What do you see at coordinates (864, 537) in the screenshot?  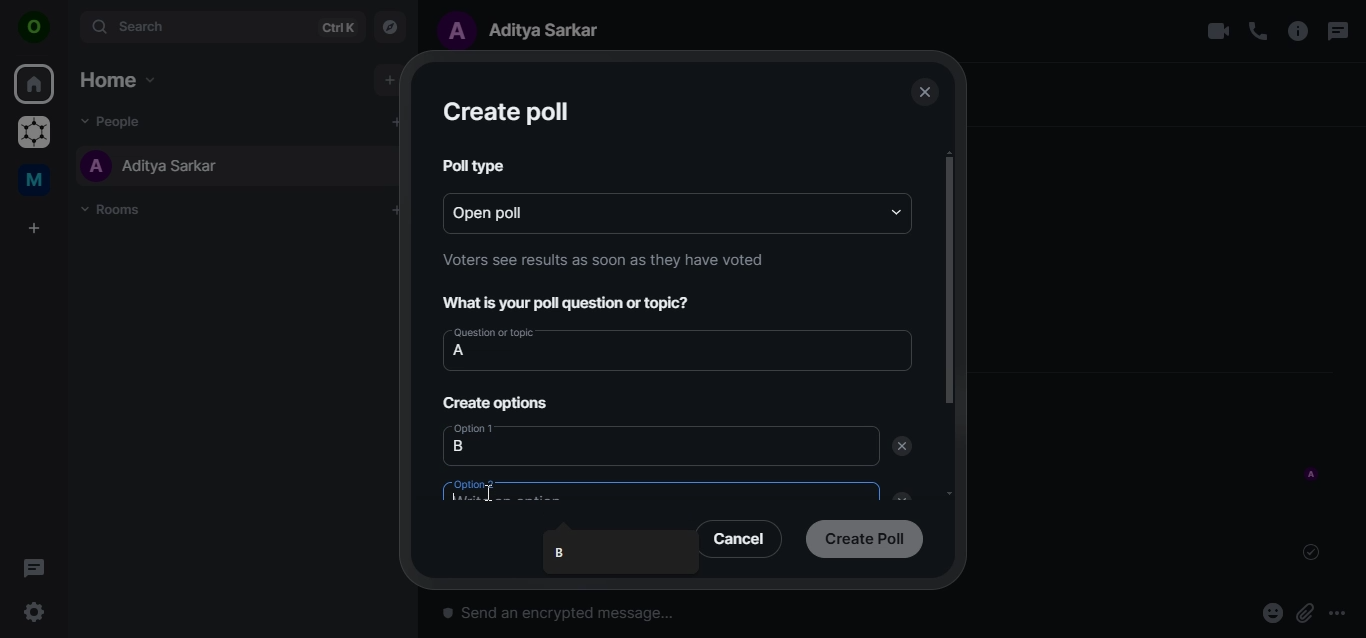 I see `create poll` at bounding box center [864, 537].